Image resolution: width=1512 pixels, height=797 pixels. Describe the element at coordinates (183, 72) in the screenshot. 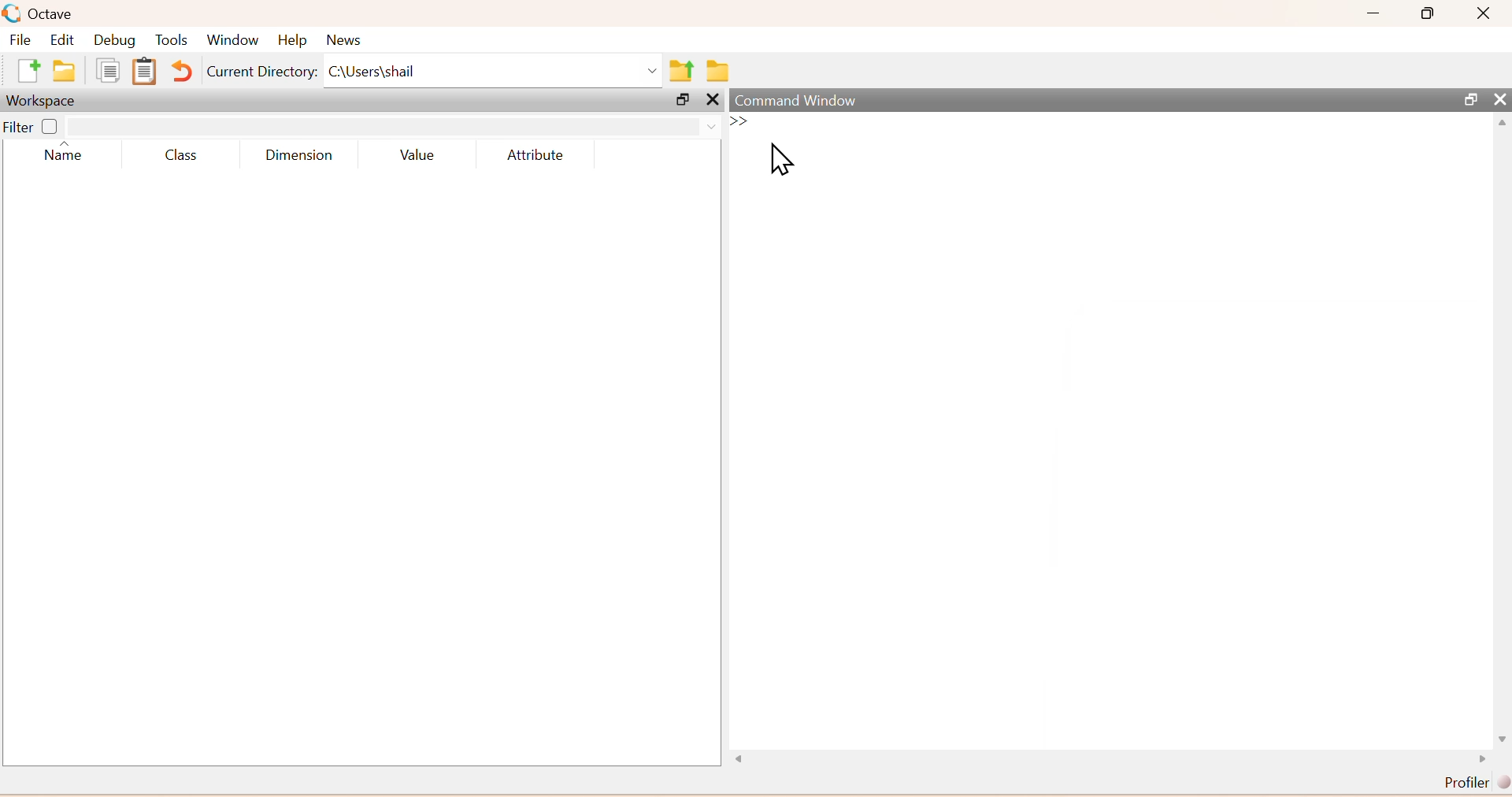

I see `Undo` at that location.